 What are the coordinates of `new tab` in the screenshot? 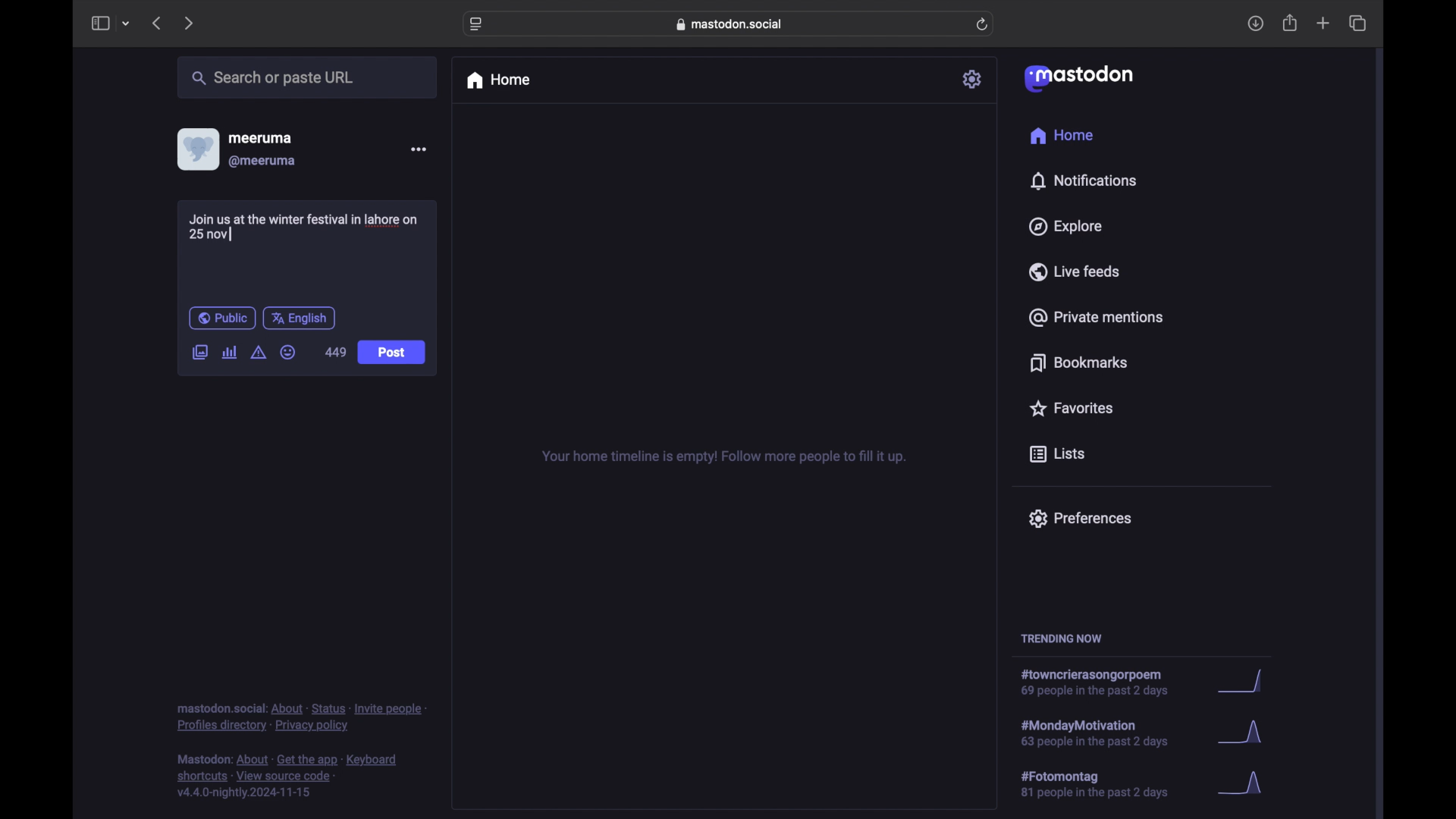 It's located at (1323, 23).